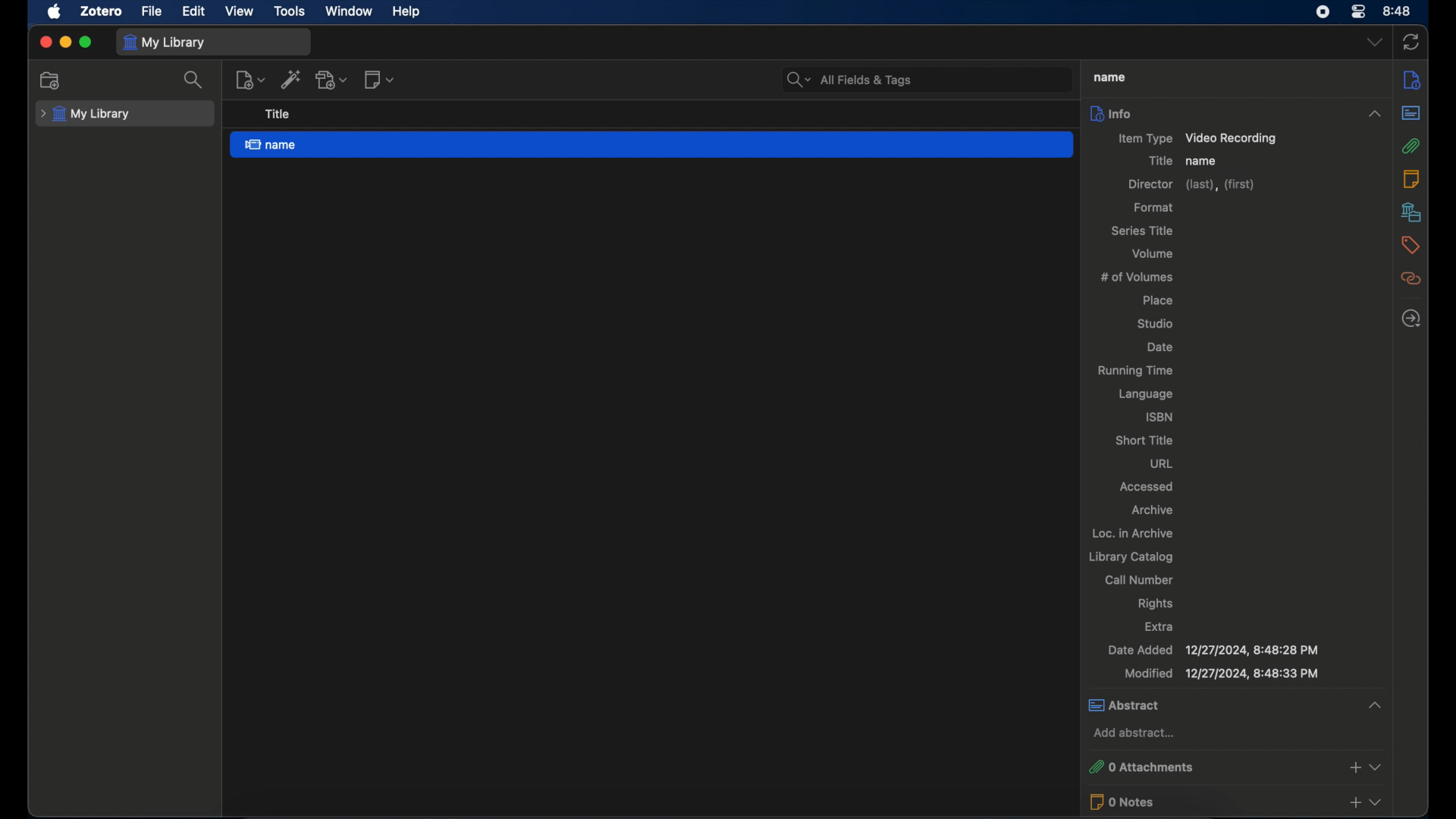 This screenshot has width=1456, height=819. I want to click on search, so click(196, 80).